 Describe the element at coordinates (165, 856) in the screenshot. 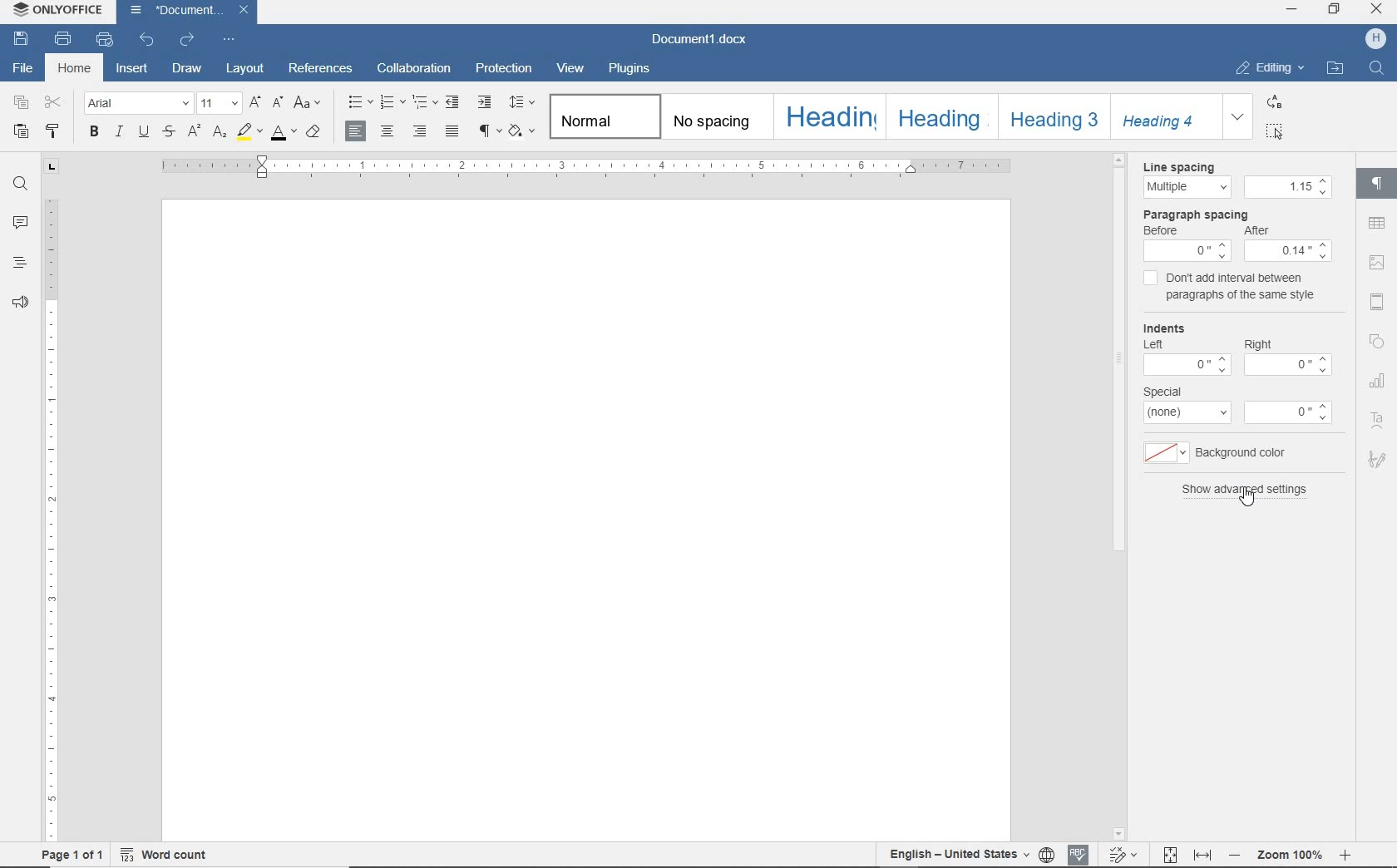

I see `word count` at that location.